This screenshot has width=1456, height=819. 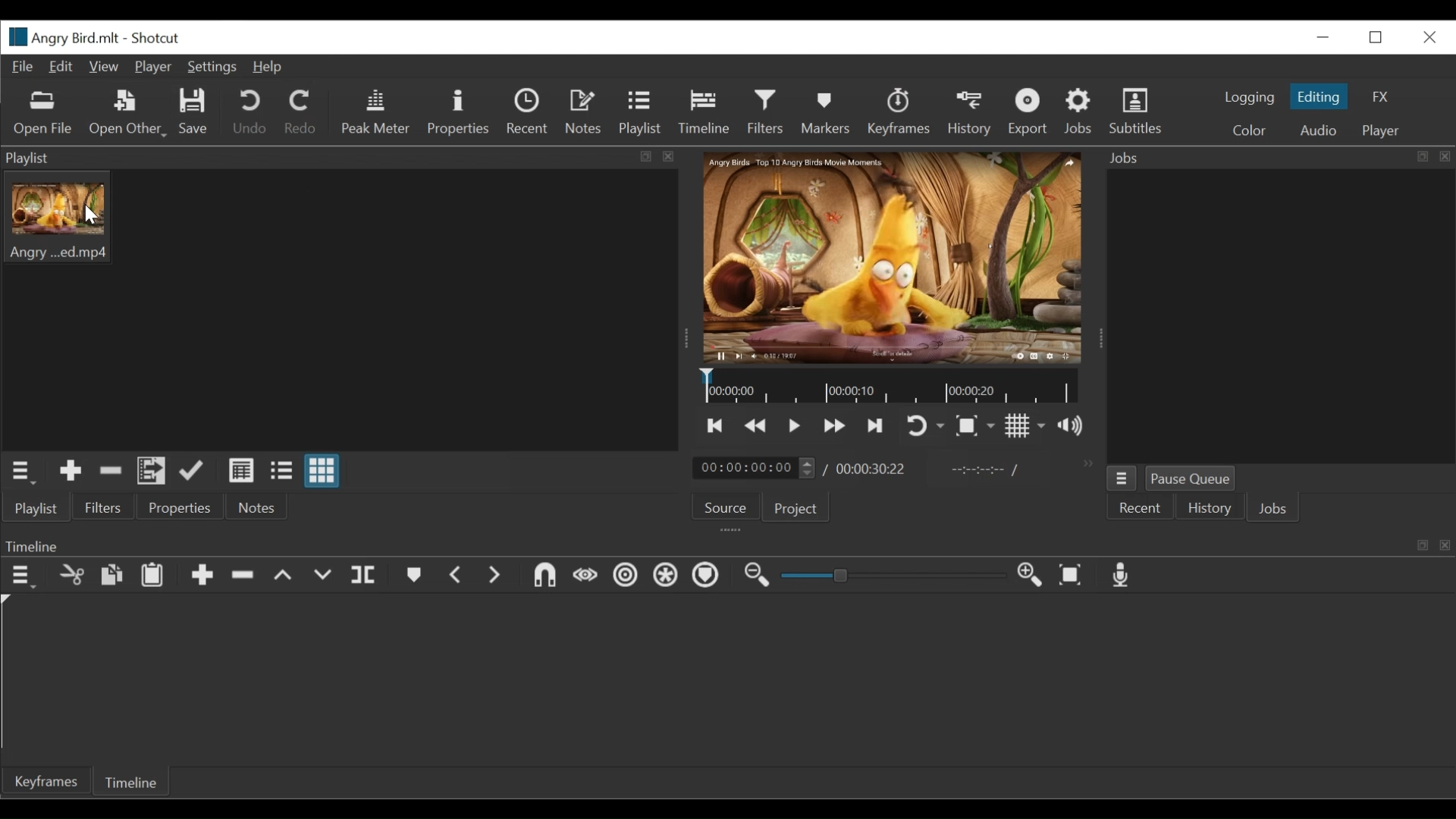 What do you see at coordinates (34, 508) in the screenshot?
I see `Playlist` at bounding box center [34, 508].